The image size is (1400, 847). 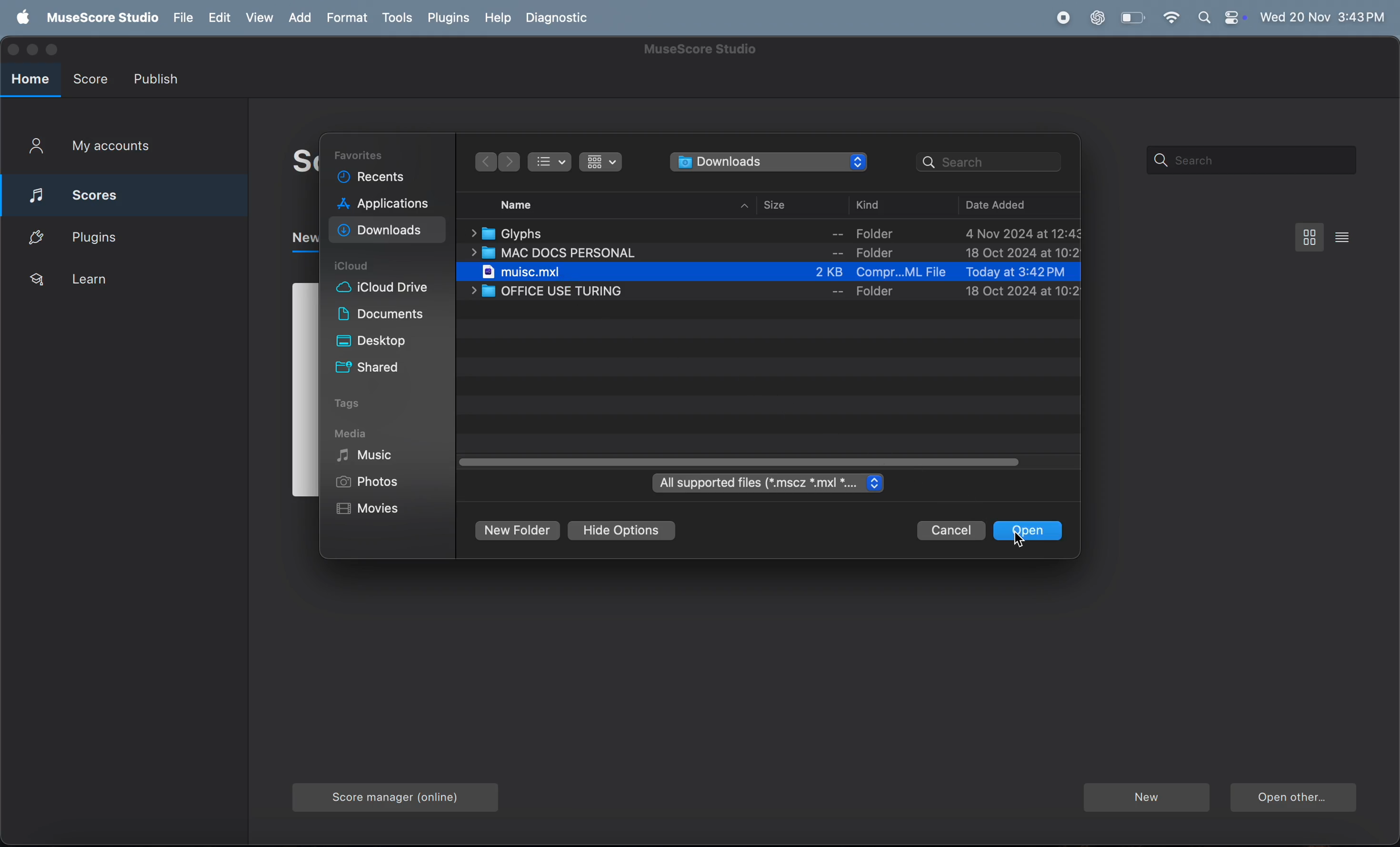 What do you see at coordinates (770, 483) in the screenshot?
I see `all supported files` at bounding box center [770, 483].